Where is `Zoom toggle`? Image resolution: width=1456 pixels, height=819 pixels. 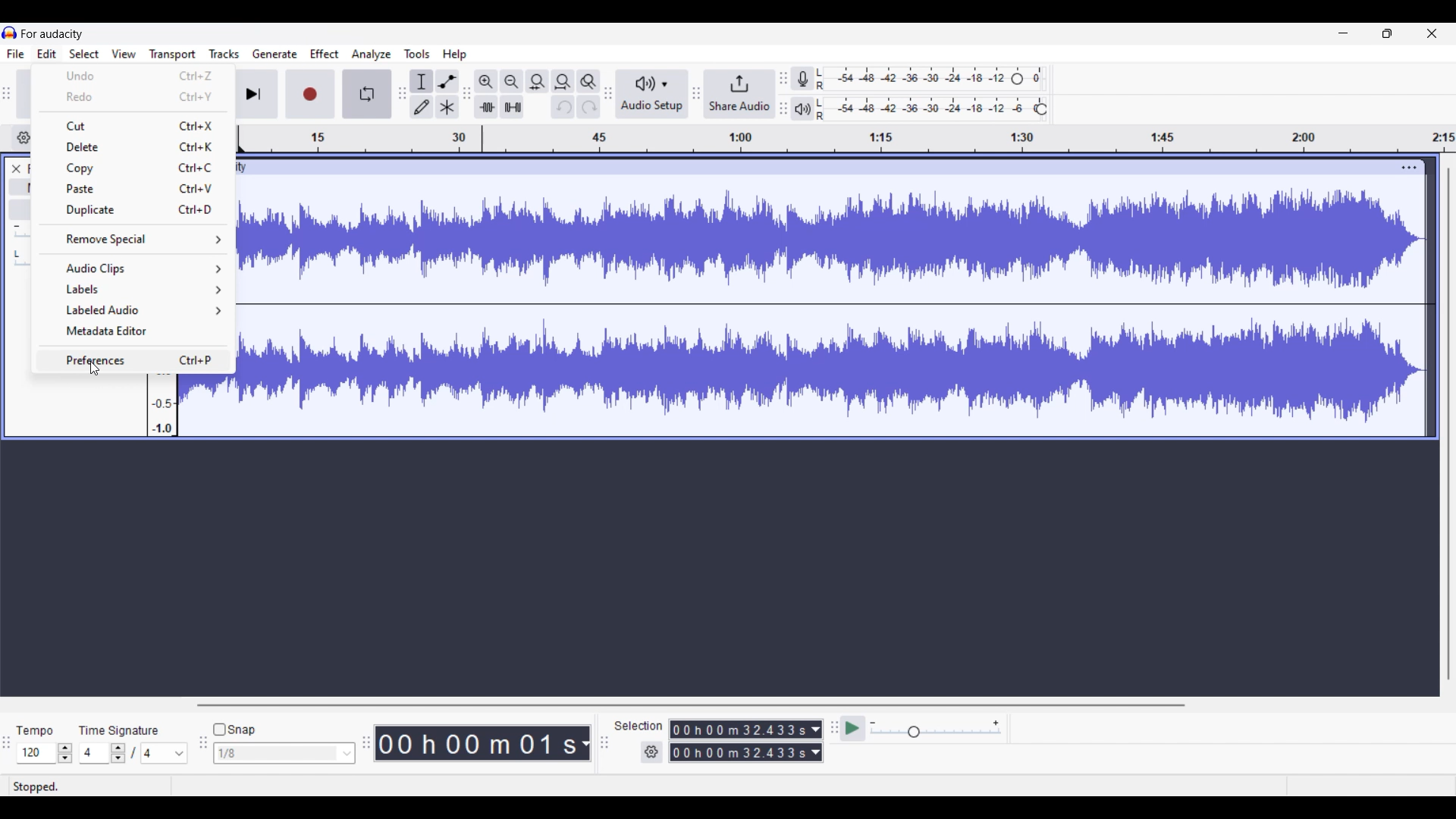 Zoom toggle is located at coordinates (588, 81).